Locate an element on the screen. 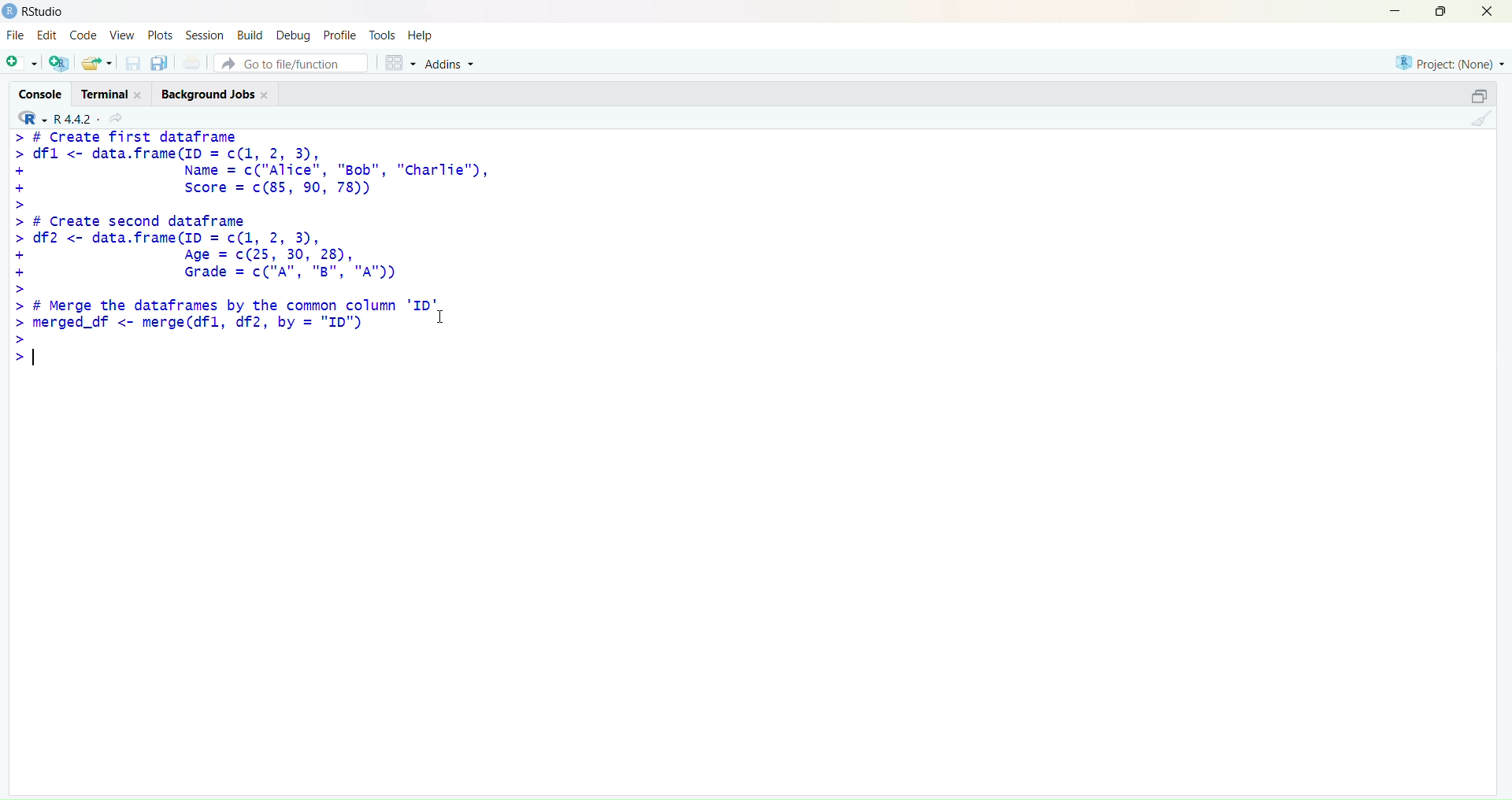 This screenshot has height=800, width=1512. Help is located at coordinates (419, 35).